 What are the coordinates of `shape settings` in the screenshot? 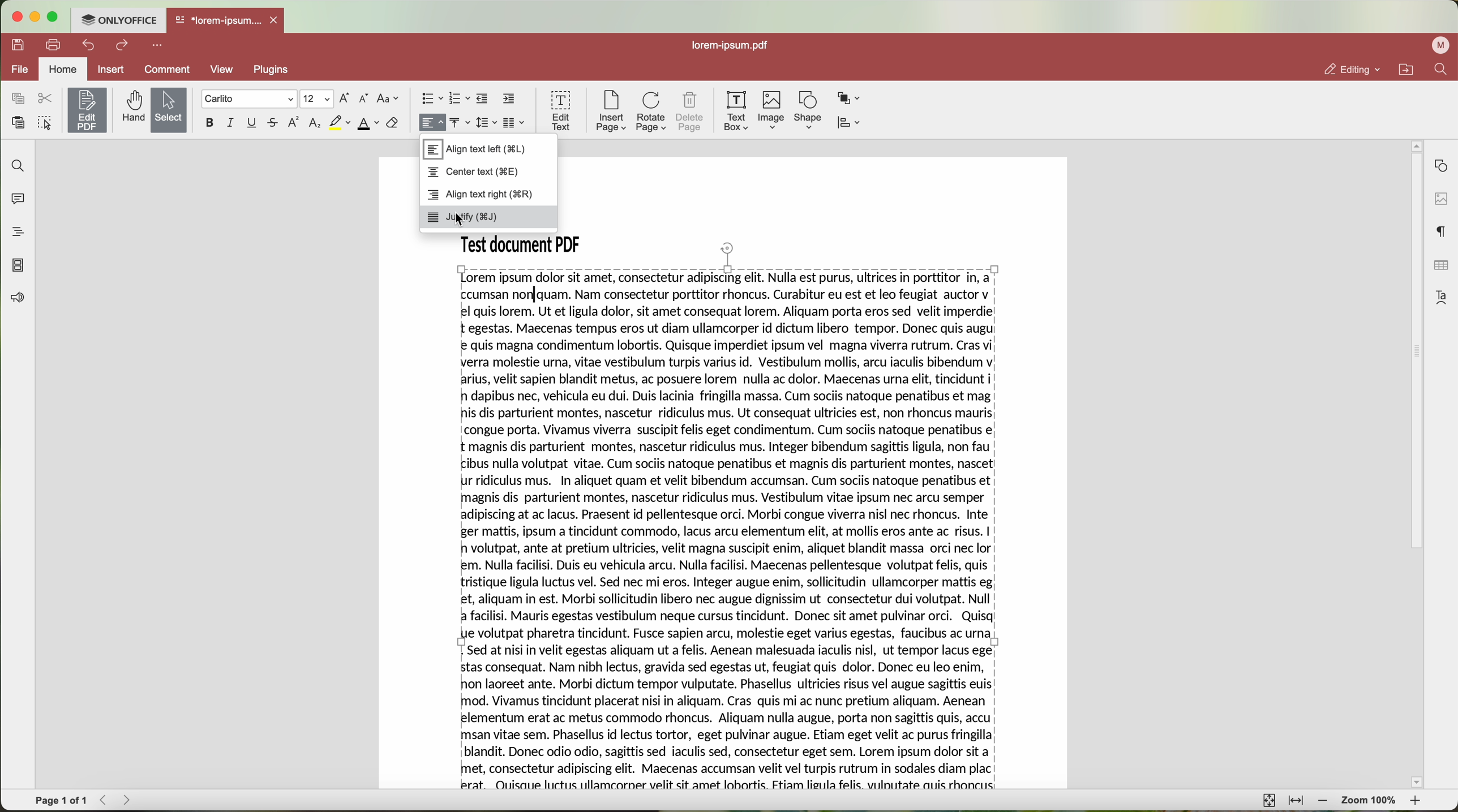 It's located at (1440, 165).